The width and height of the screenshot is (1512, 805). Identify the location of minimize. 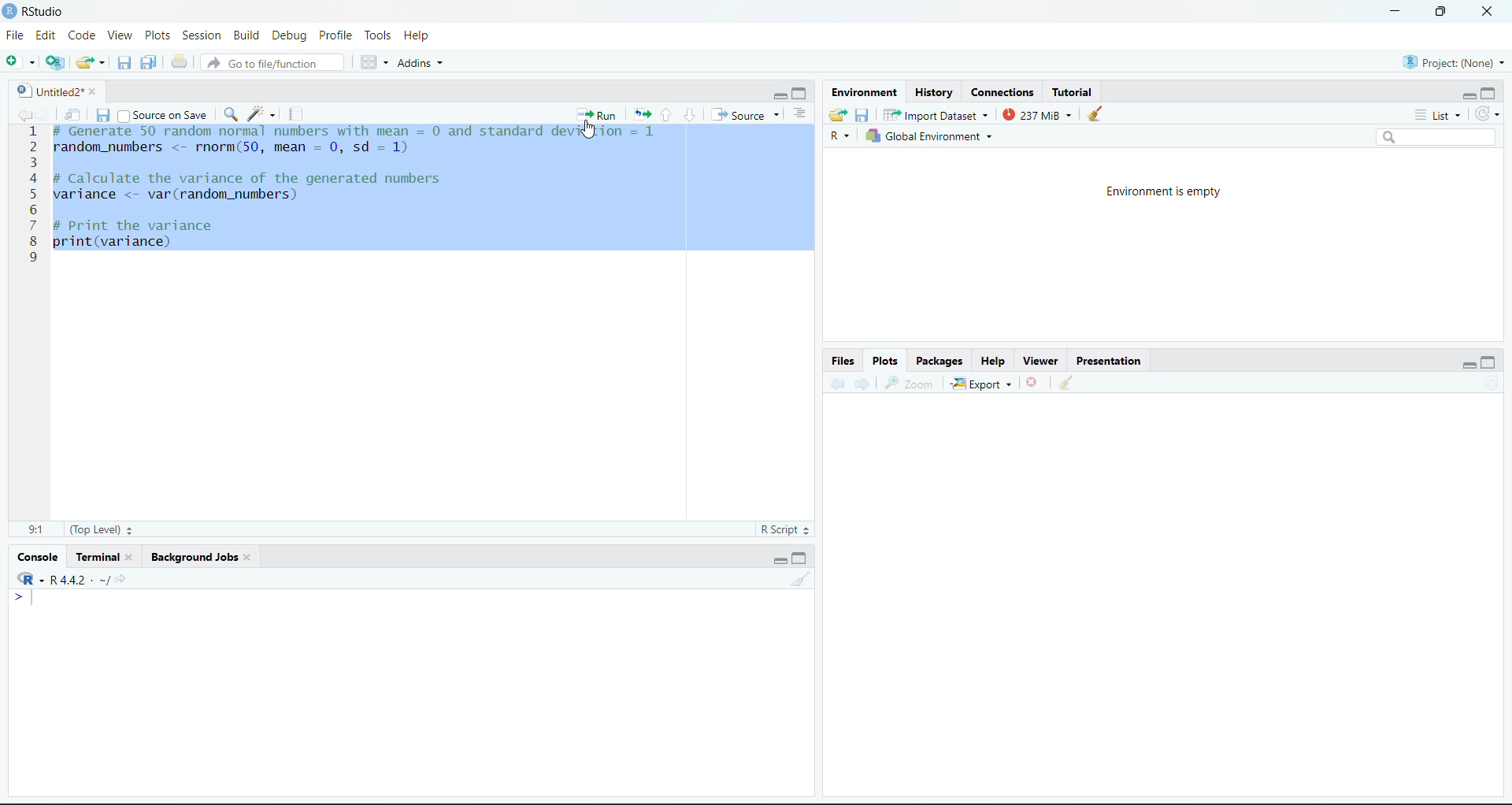
(778, 95).